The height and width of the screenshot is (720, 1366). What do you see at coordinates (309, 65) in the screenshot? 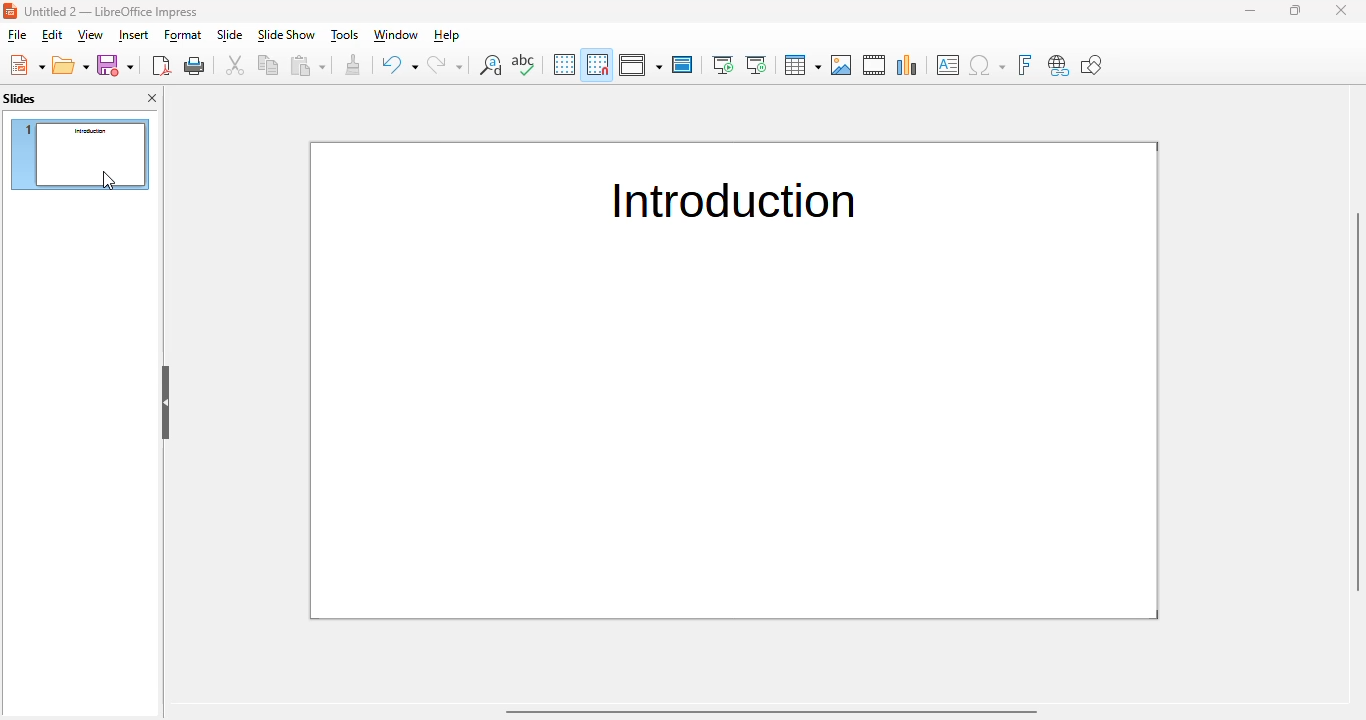
I see `paste` at bounding box center [309, 65].